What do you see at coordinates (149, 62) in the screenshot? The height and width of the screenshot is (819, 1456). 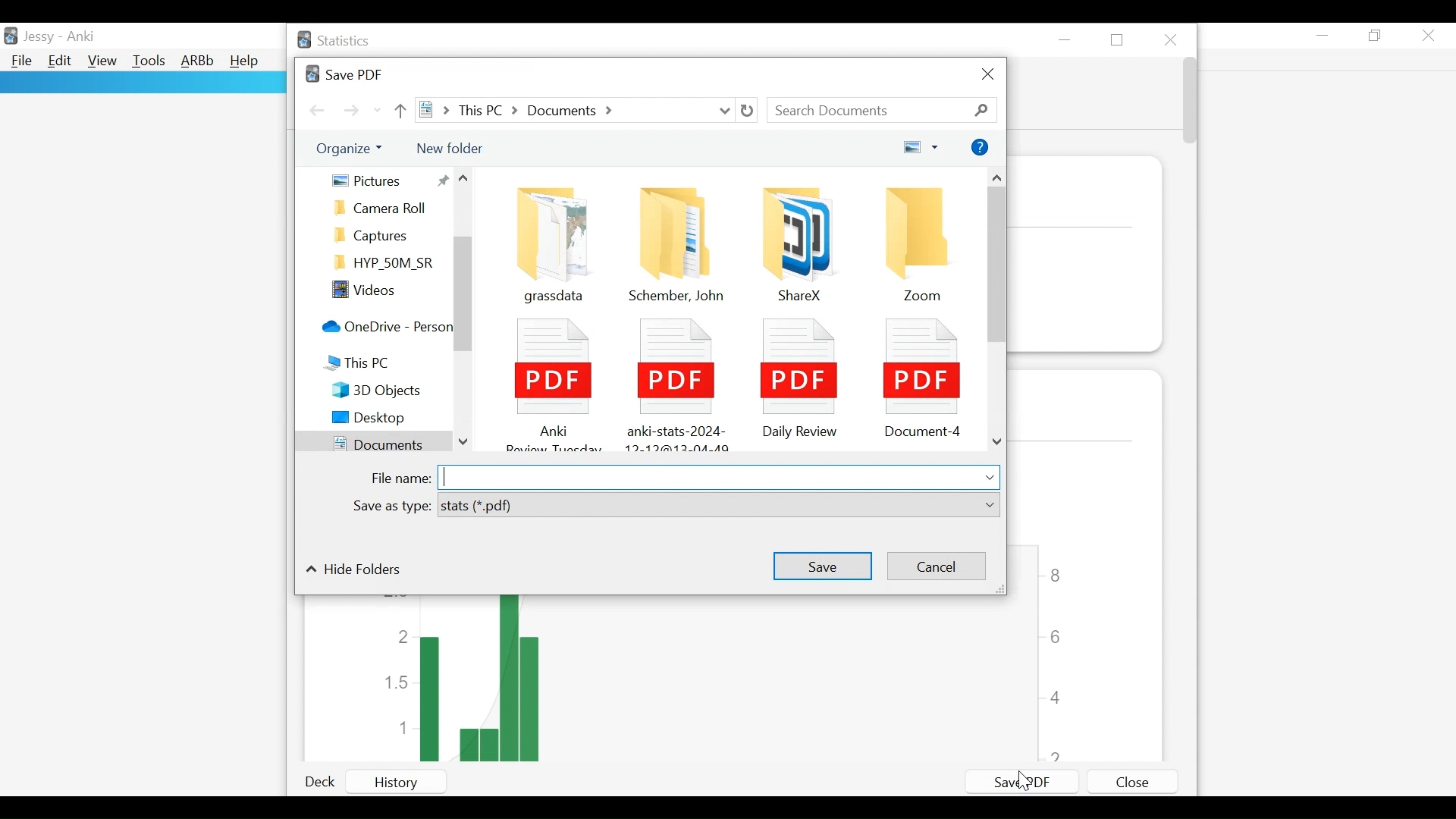 I see `Tools` at bounding box center [149, 62].